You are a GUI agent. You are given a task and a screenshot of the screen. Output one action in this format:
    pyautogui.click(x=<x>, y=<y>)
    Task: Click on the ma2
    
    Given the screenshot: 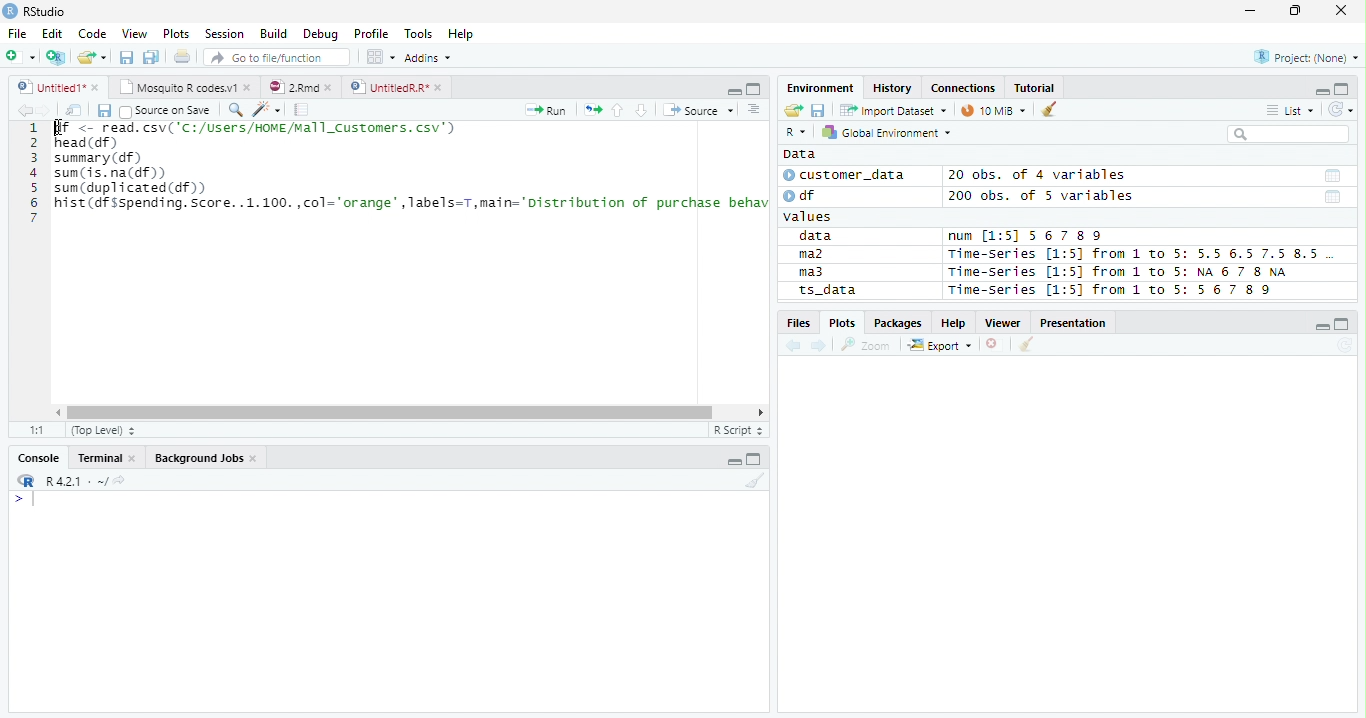 What is the action you would take?
    pyautogui.click(x=816, y=256)
    